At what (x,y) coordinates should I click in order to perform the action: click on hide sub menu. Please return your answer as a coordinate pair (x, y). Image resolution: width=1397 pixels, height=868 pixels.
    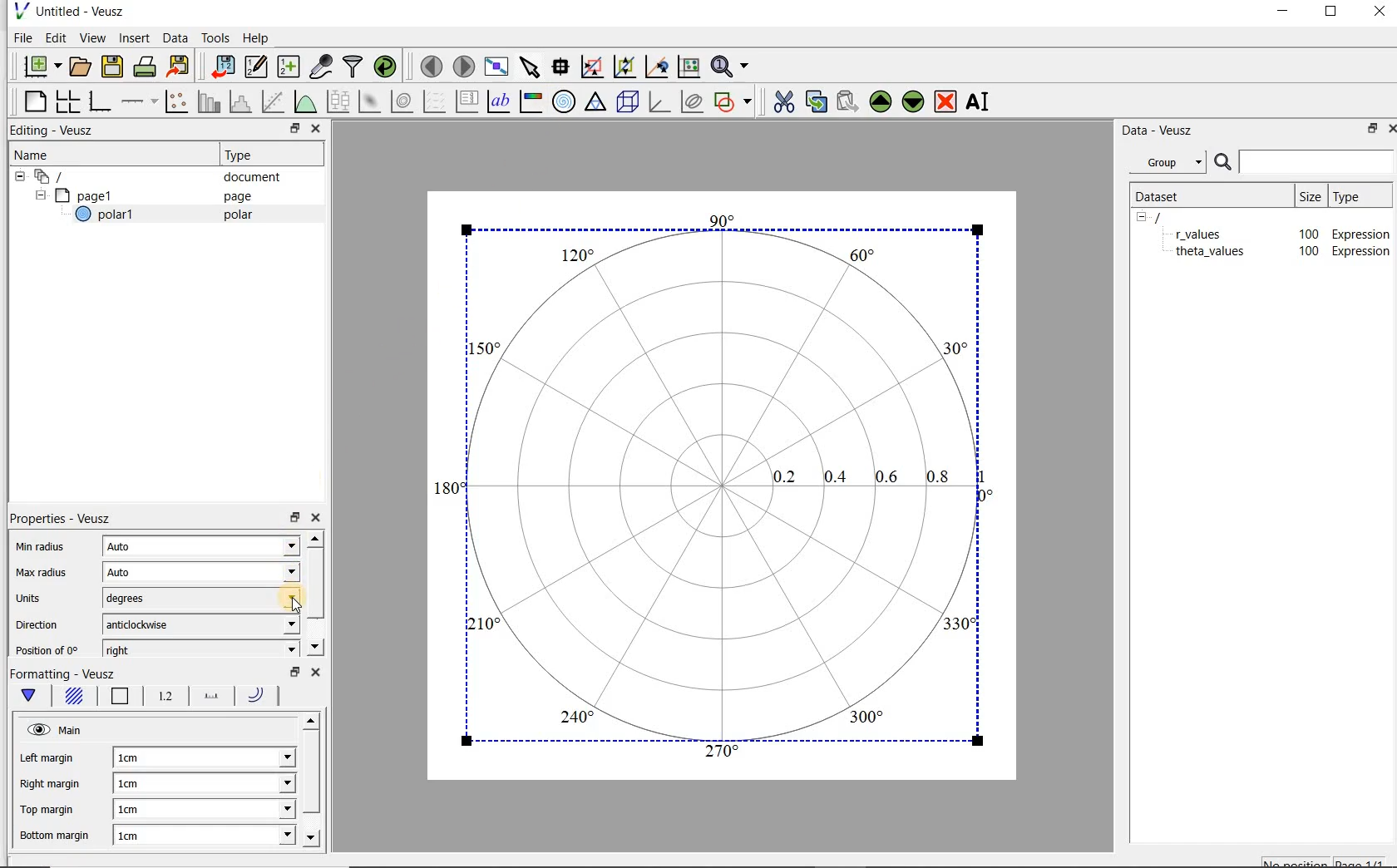
    Looking at the image, I should click on (34, 196).